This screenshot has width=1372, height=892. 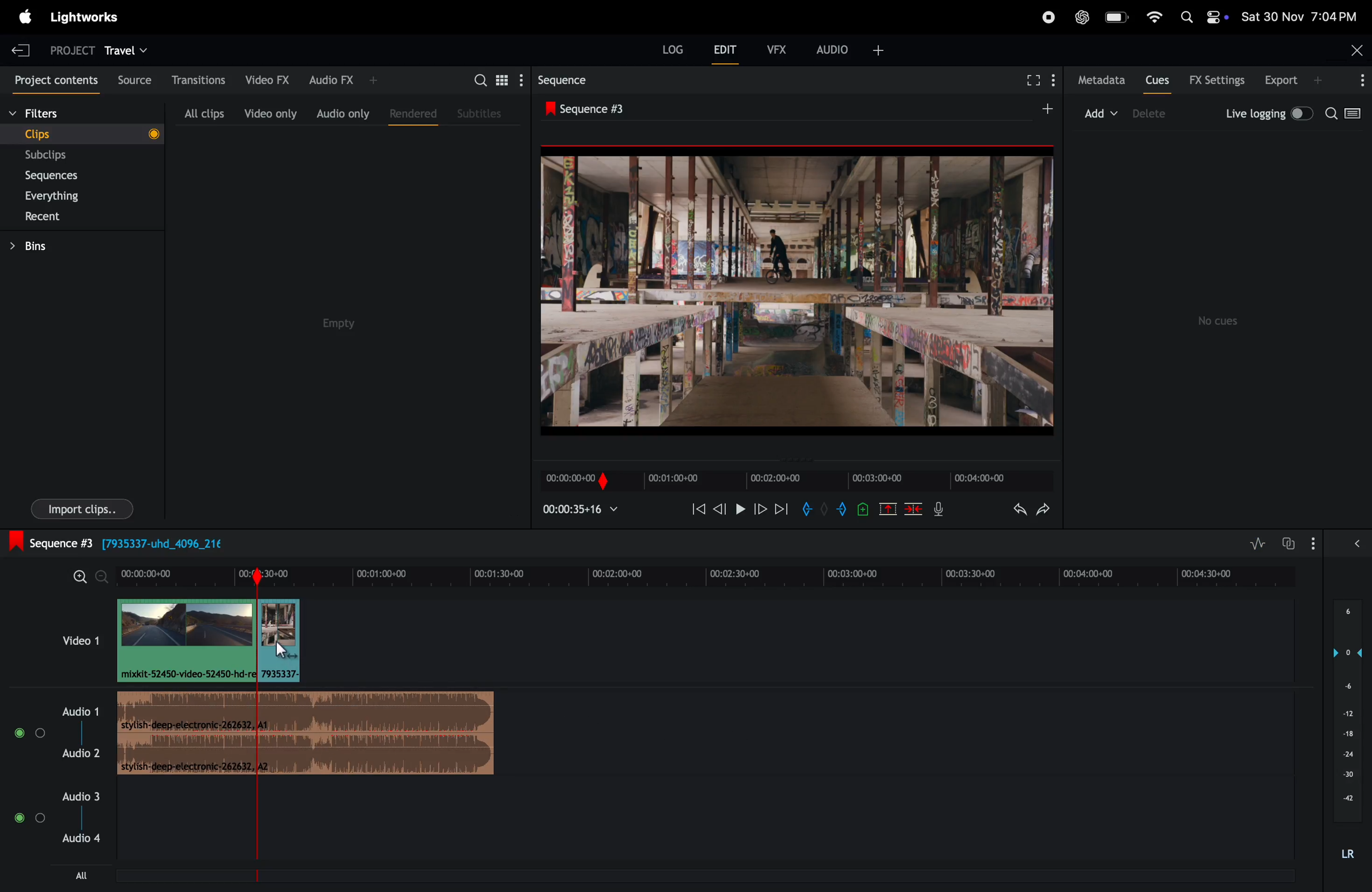 What do you see at coordinates (914, 509) in the screenshot?
I see `delete` at bounding box center [914, 509].